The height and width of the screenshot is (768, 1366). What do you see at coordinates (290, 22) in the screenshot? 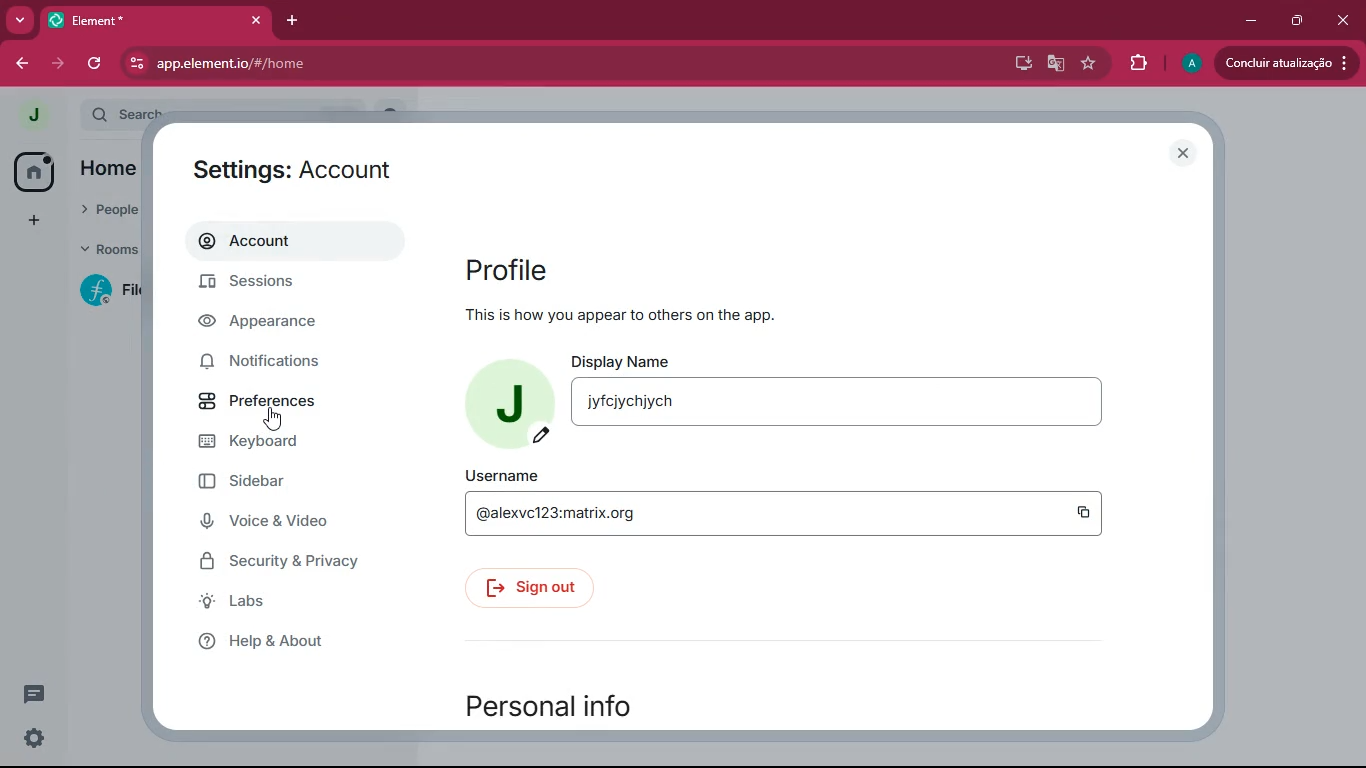
I see `add tab` at bounding box center [290, 22].